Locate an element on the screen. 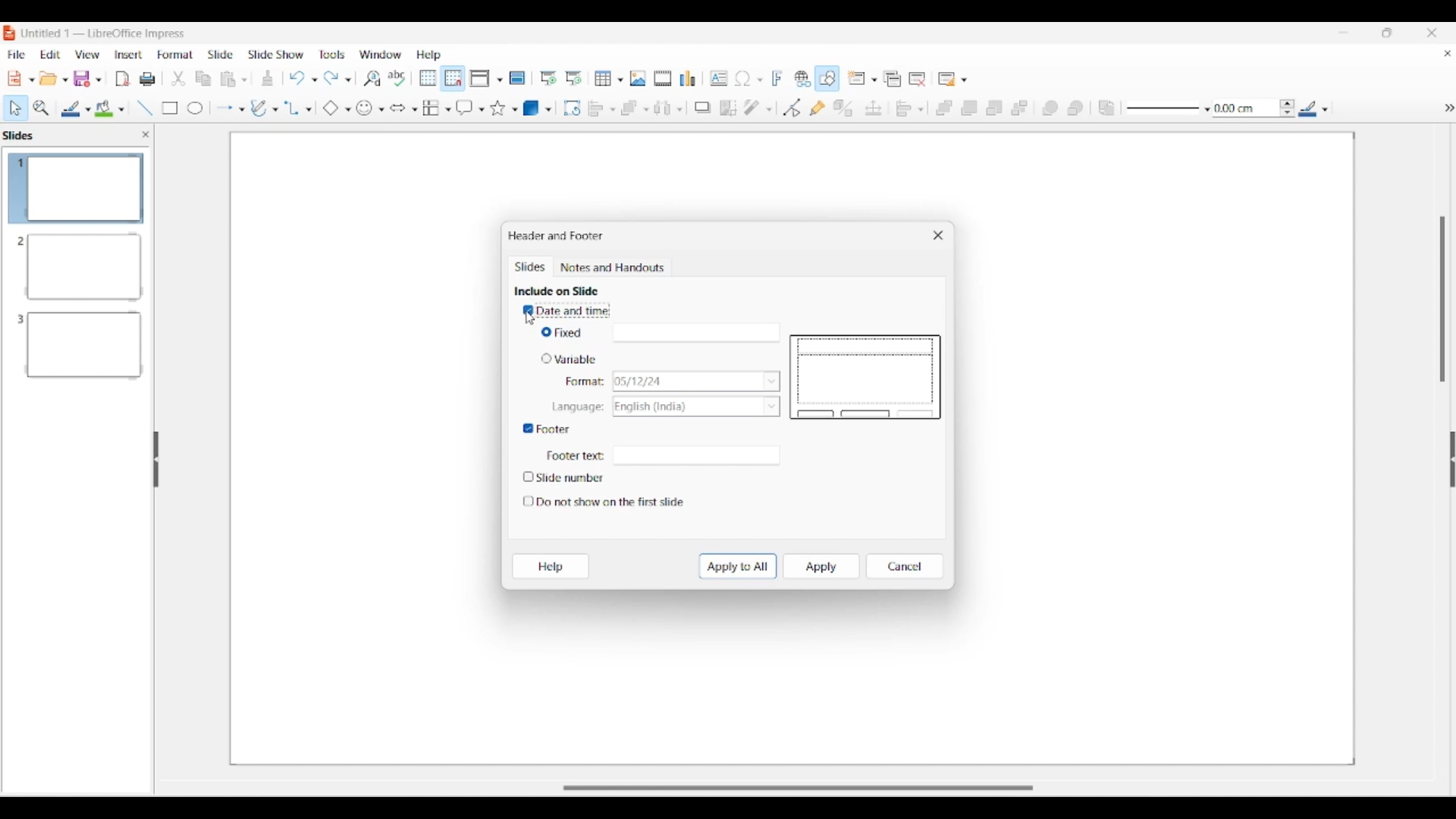 Image resolution: width=1456 pixels, height=819 pixels. Insert audio/video is located at coordinates (663, 78).